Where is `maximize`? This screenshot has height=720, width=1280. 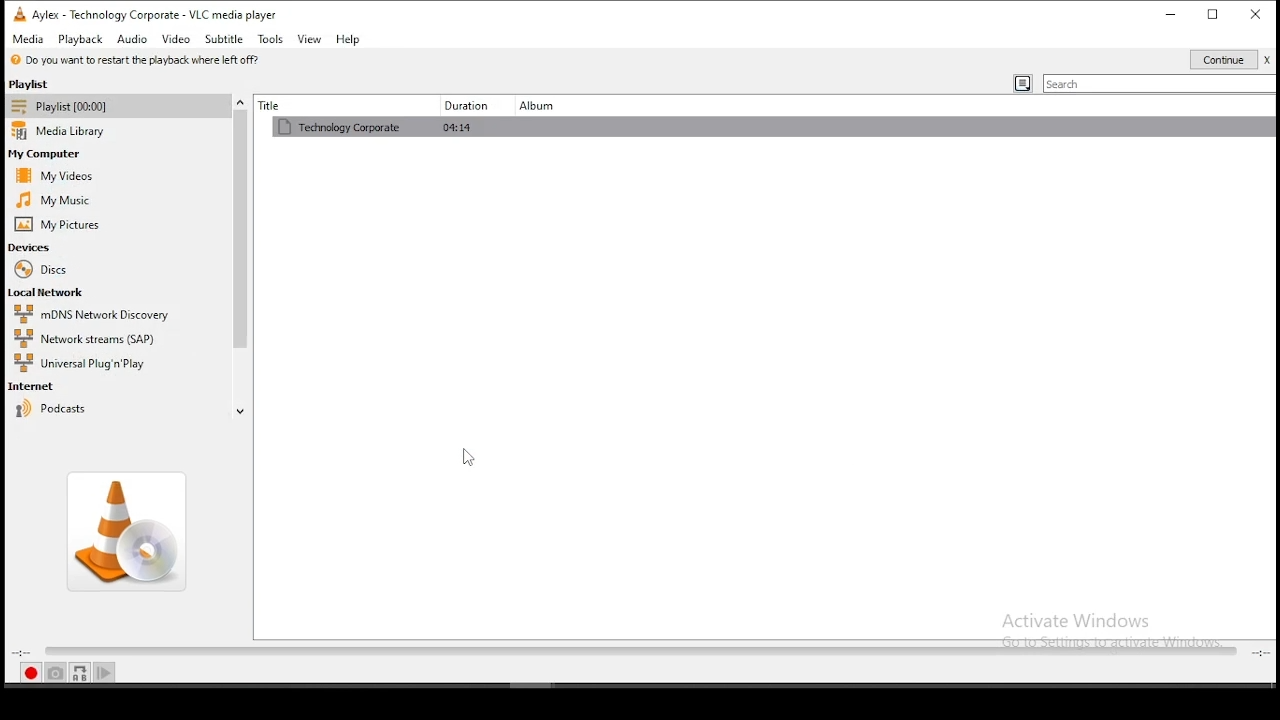
maximize is located at coordinates (1214, 13).